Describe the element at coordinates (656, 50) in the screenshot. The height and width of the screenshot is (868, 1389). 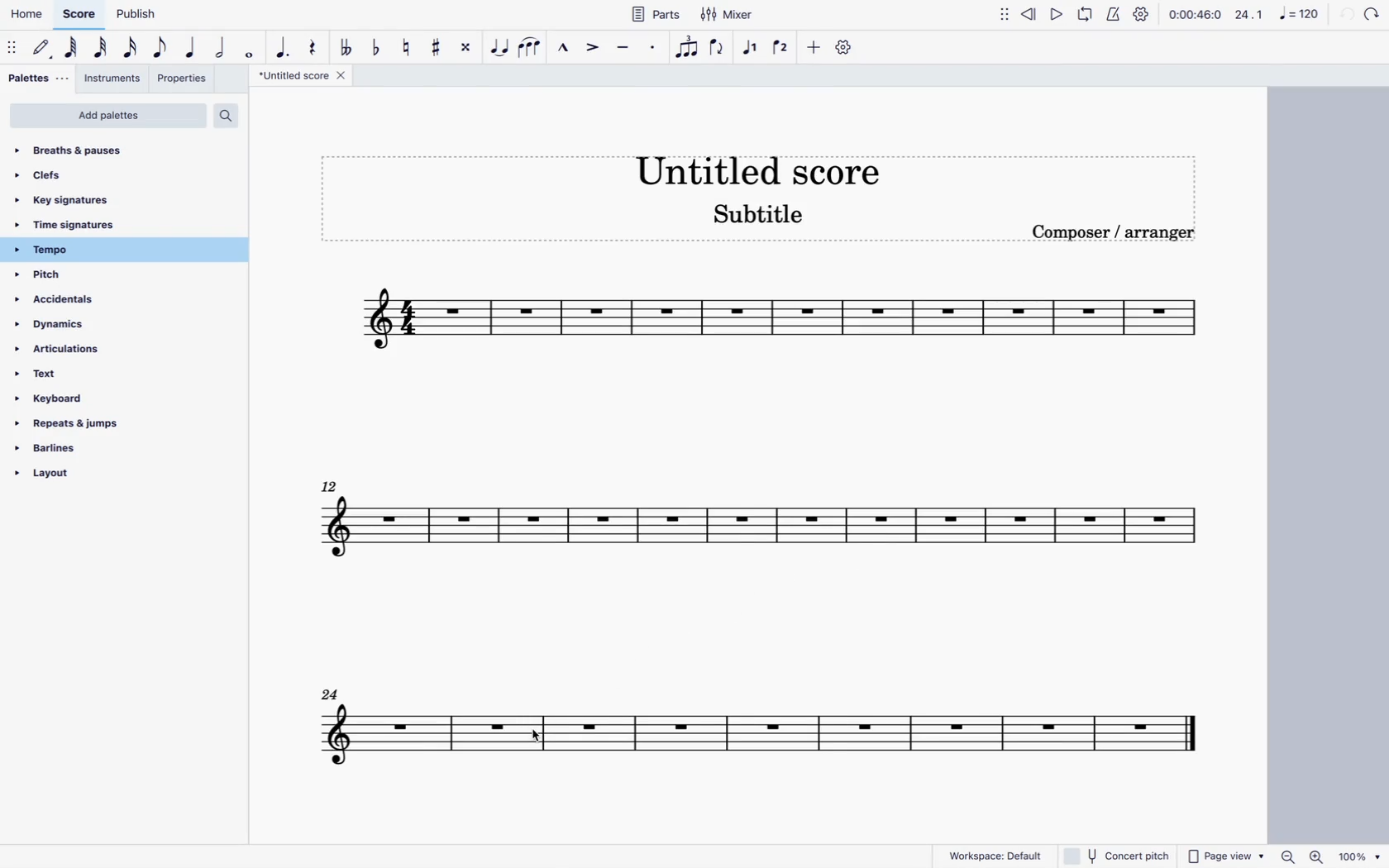
I see `staccato` at that location.